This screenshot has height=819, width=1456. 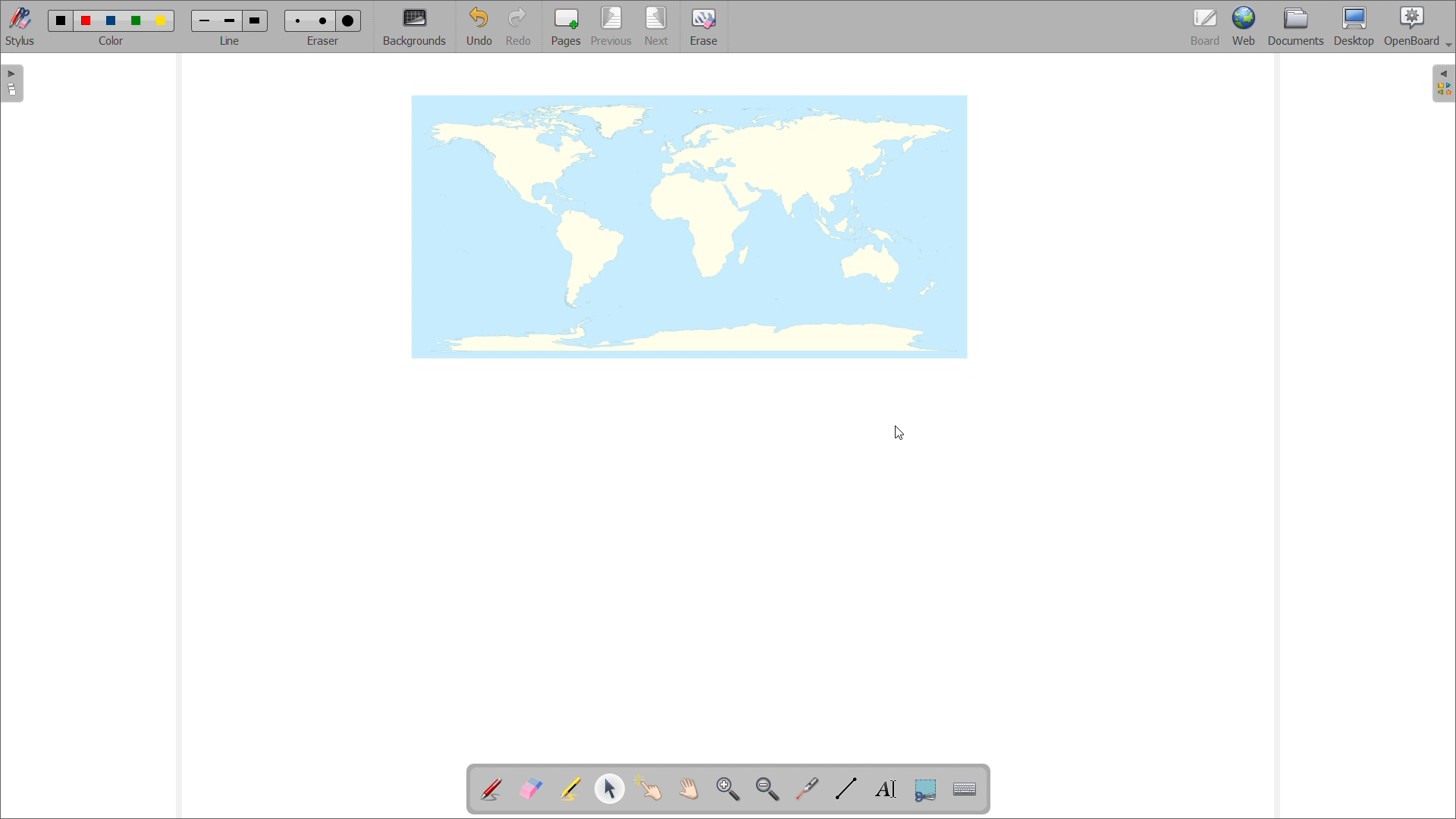 I want to click on highlights, so click(x=570, y=790).